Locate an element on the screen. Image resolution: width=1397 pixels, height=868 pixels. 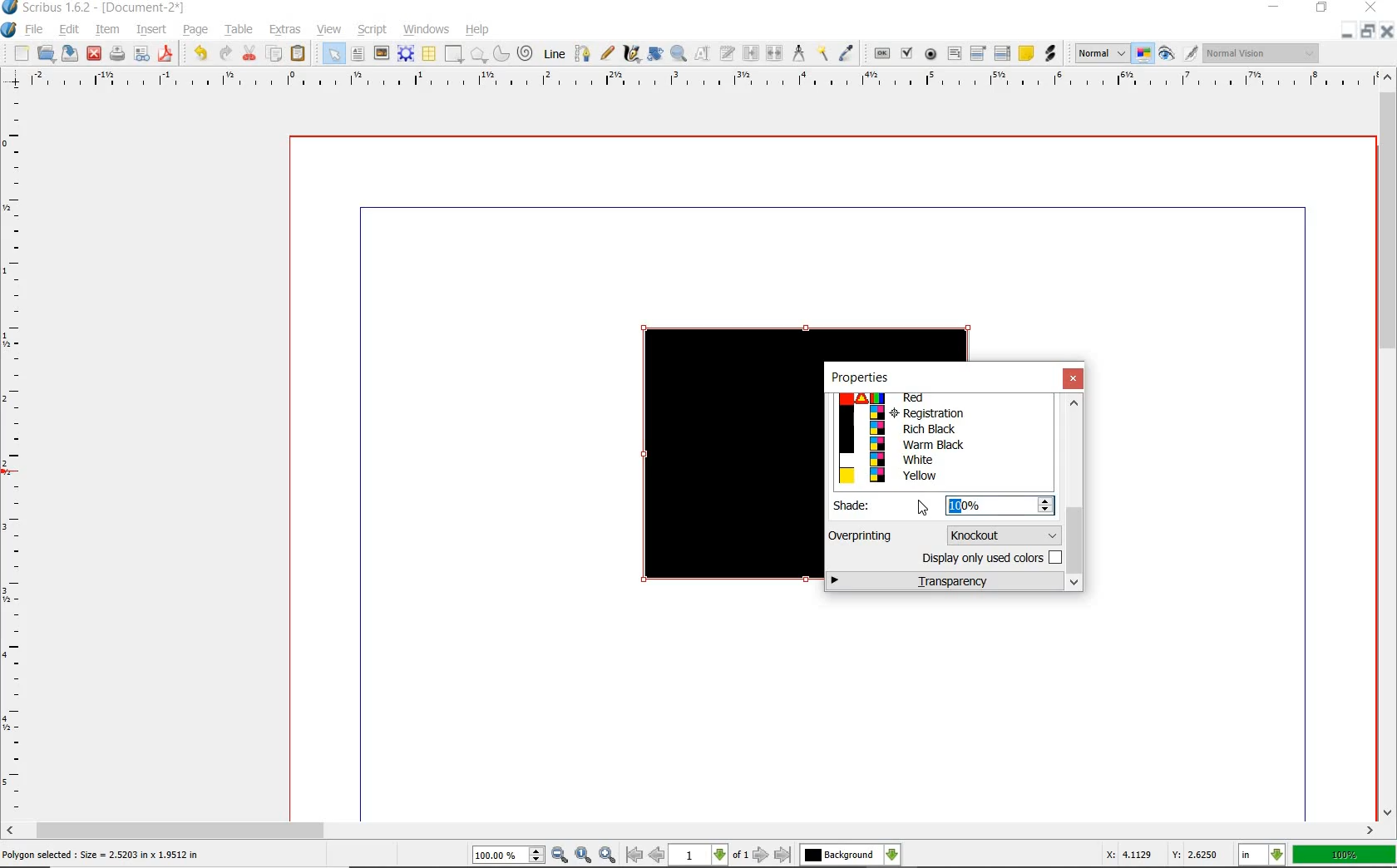
open is located at coordinates (45, 55).